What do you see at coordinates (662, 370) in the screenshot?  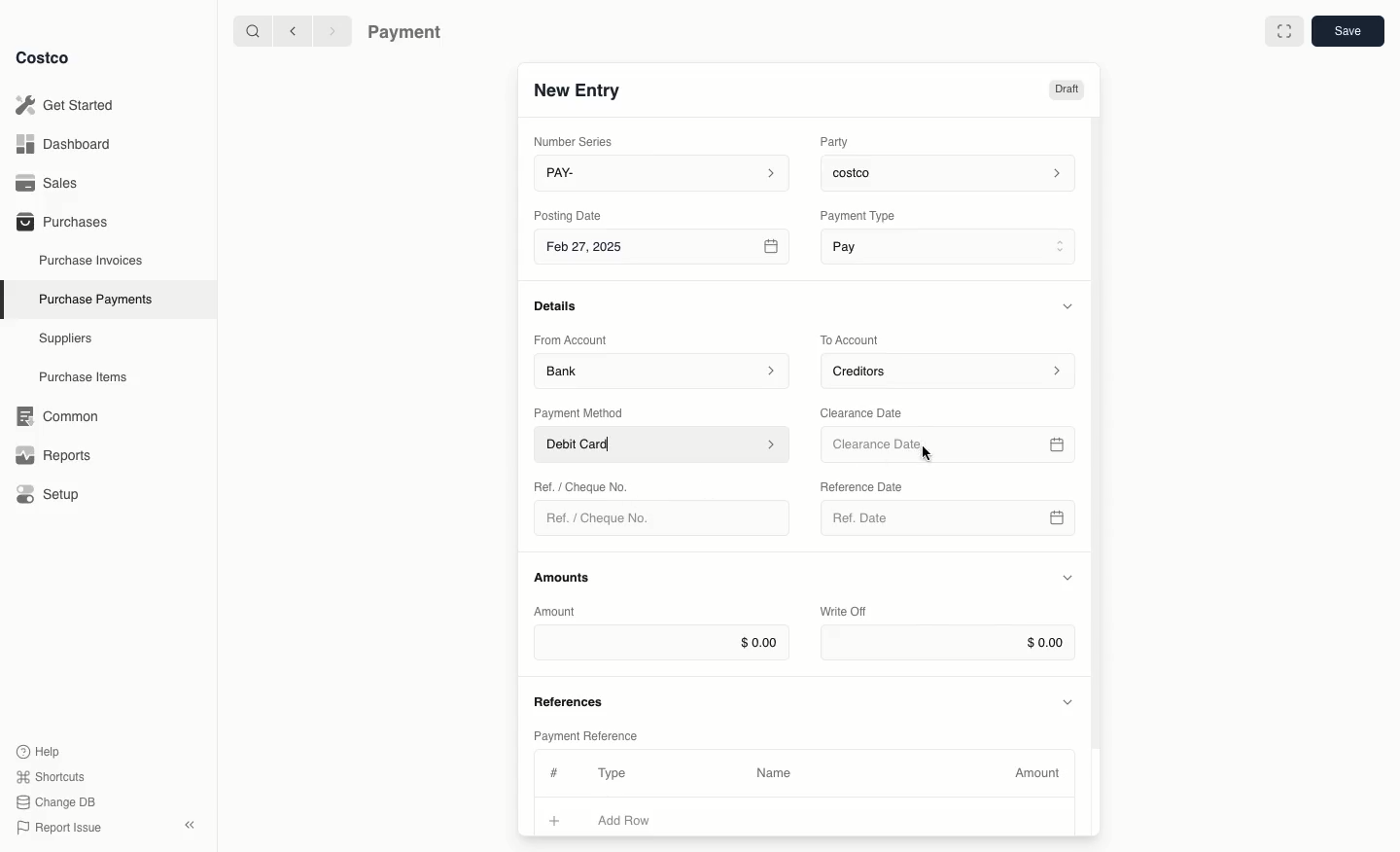 I see `Bank` at bounding box center [662, 370].